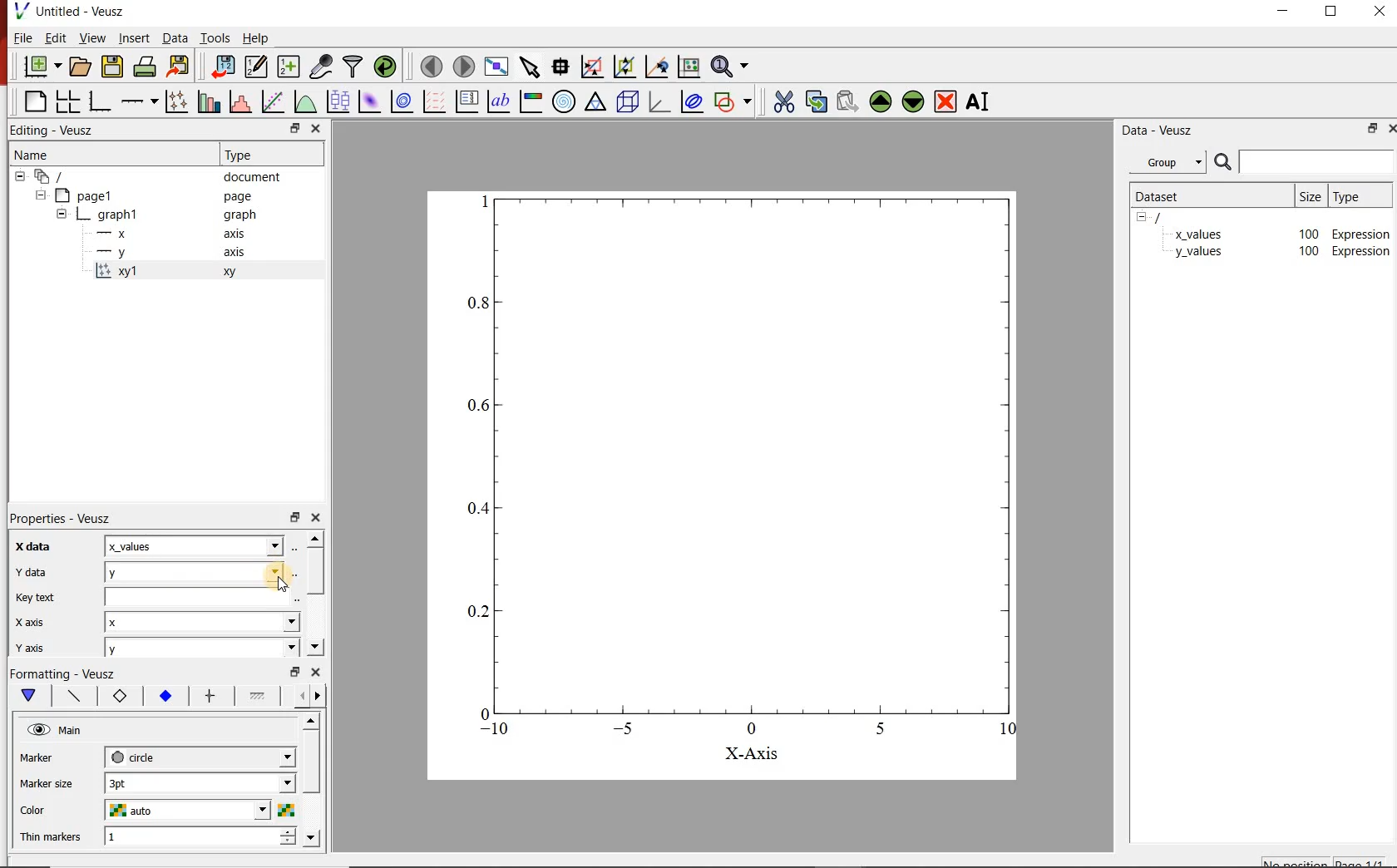 Image resolution: width=1397 pixels, height=868 pixels. What do you see at coordinates (496, 101) in the screenshot?
I see `text label` at bounding box center [496, 101].